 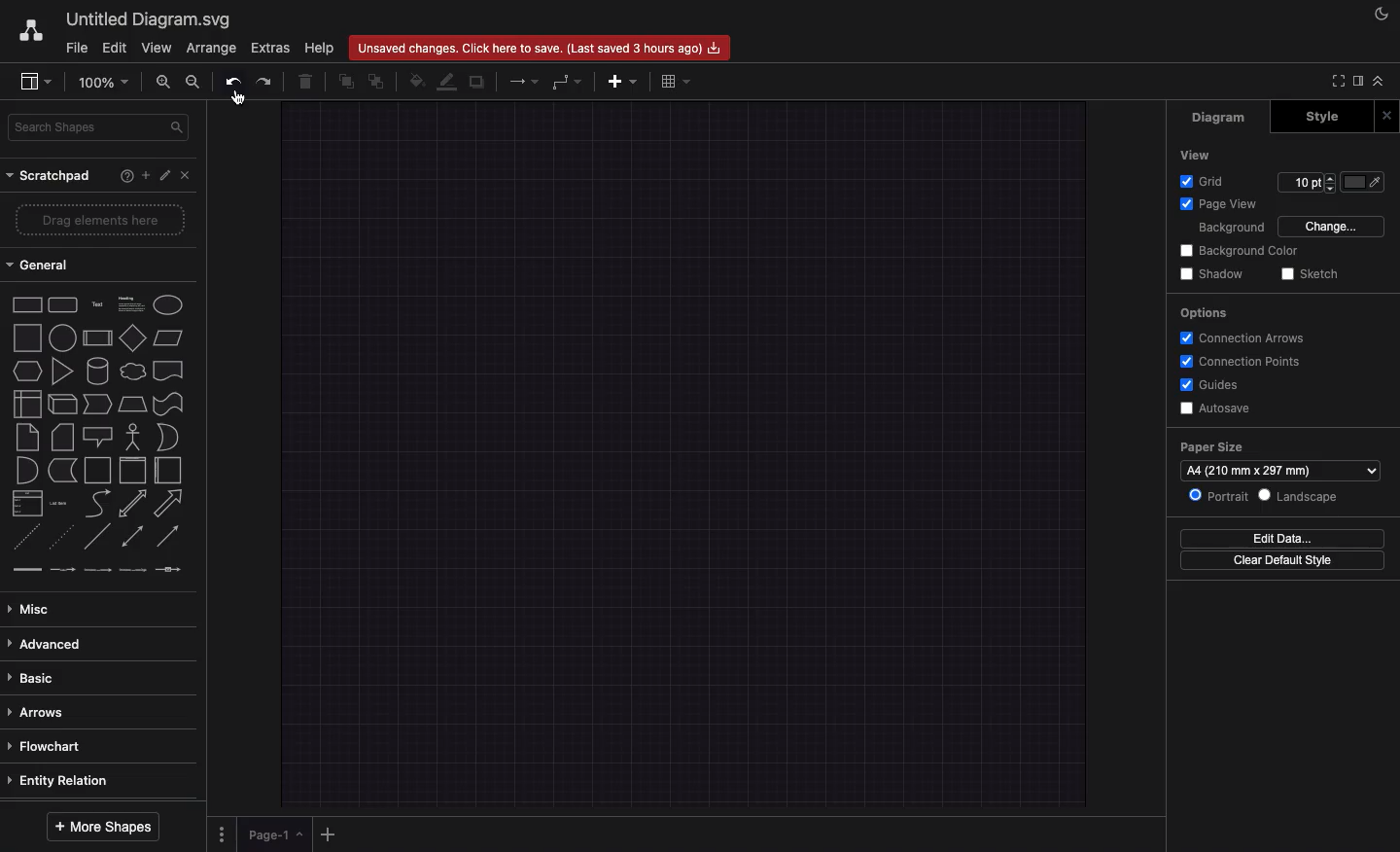 What do you see at coordinates (678, 79) in the screenshot?
I see `Table` at bounding box center [678, 79].